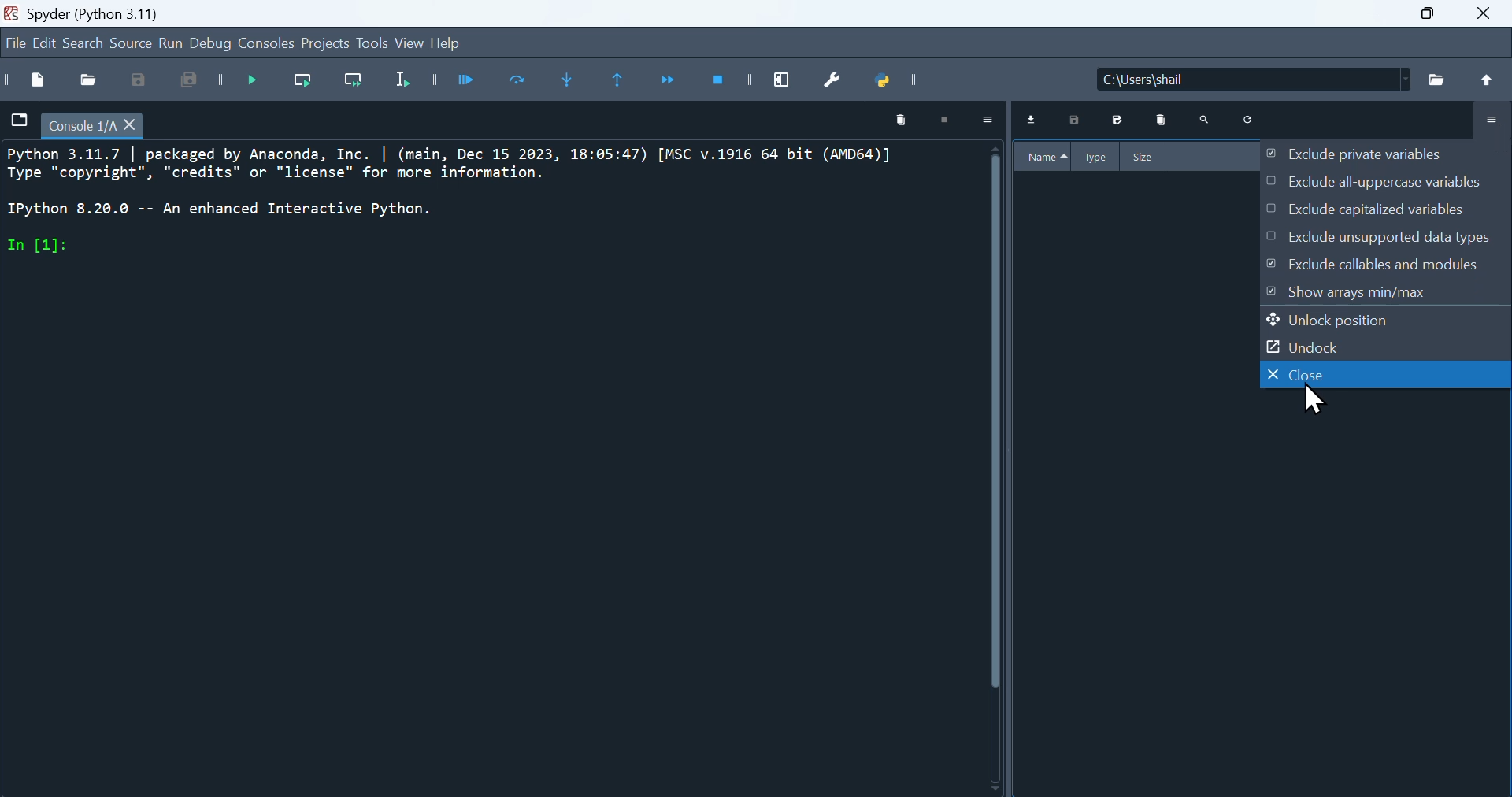 This screenshot has height=797, width=1512. I want to click on filename, so click(98, 124).